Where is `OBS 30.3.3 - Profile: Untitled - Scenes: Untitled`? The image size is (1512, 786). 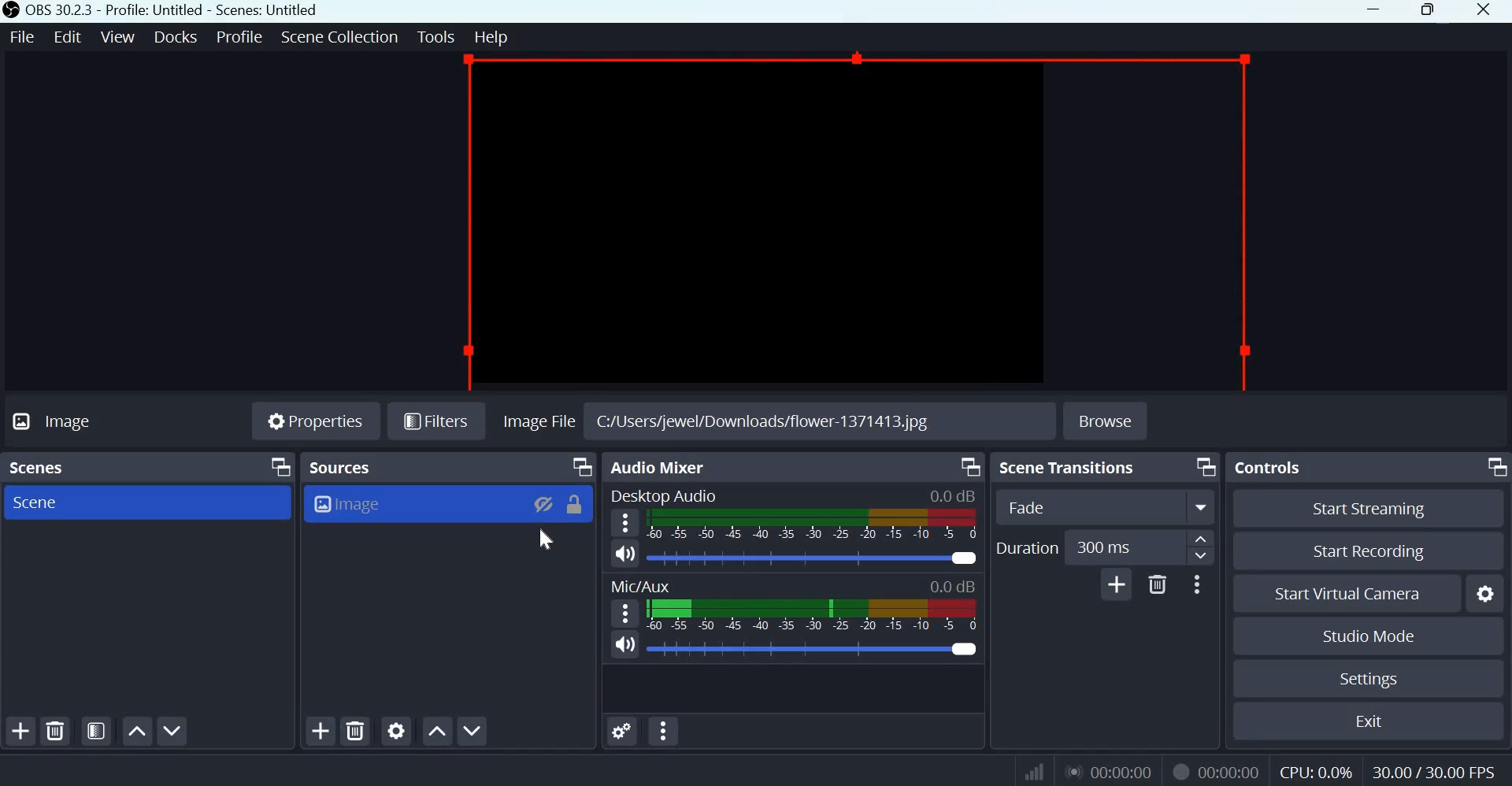 OBS 30.3.3 - Profile: Untitled - Scenes: Untitled is located at coordinates (170, 11).